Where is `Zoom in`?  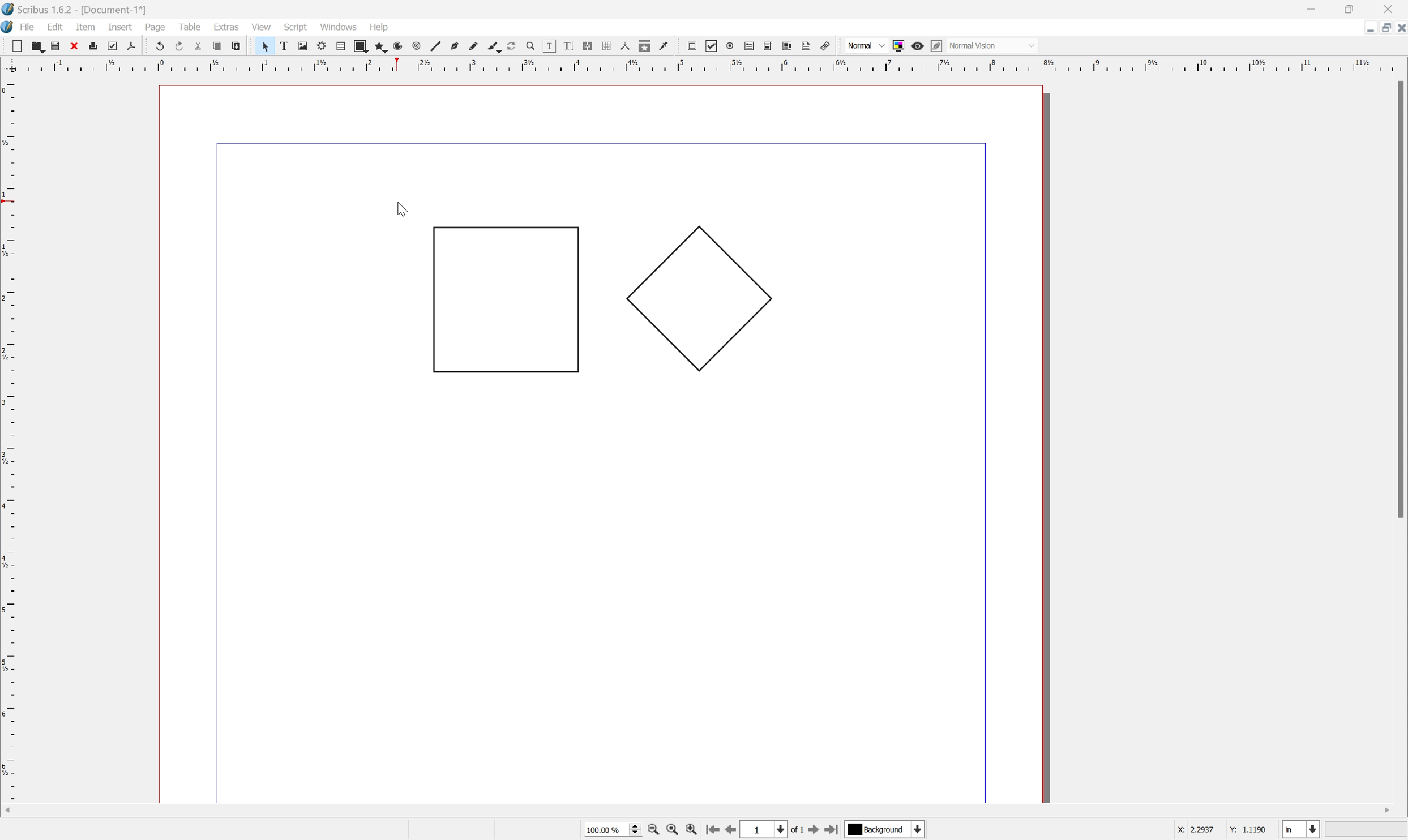
Zoom in is located at coordinates (687, 830).